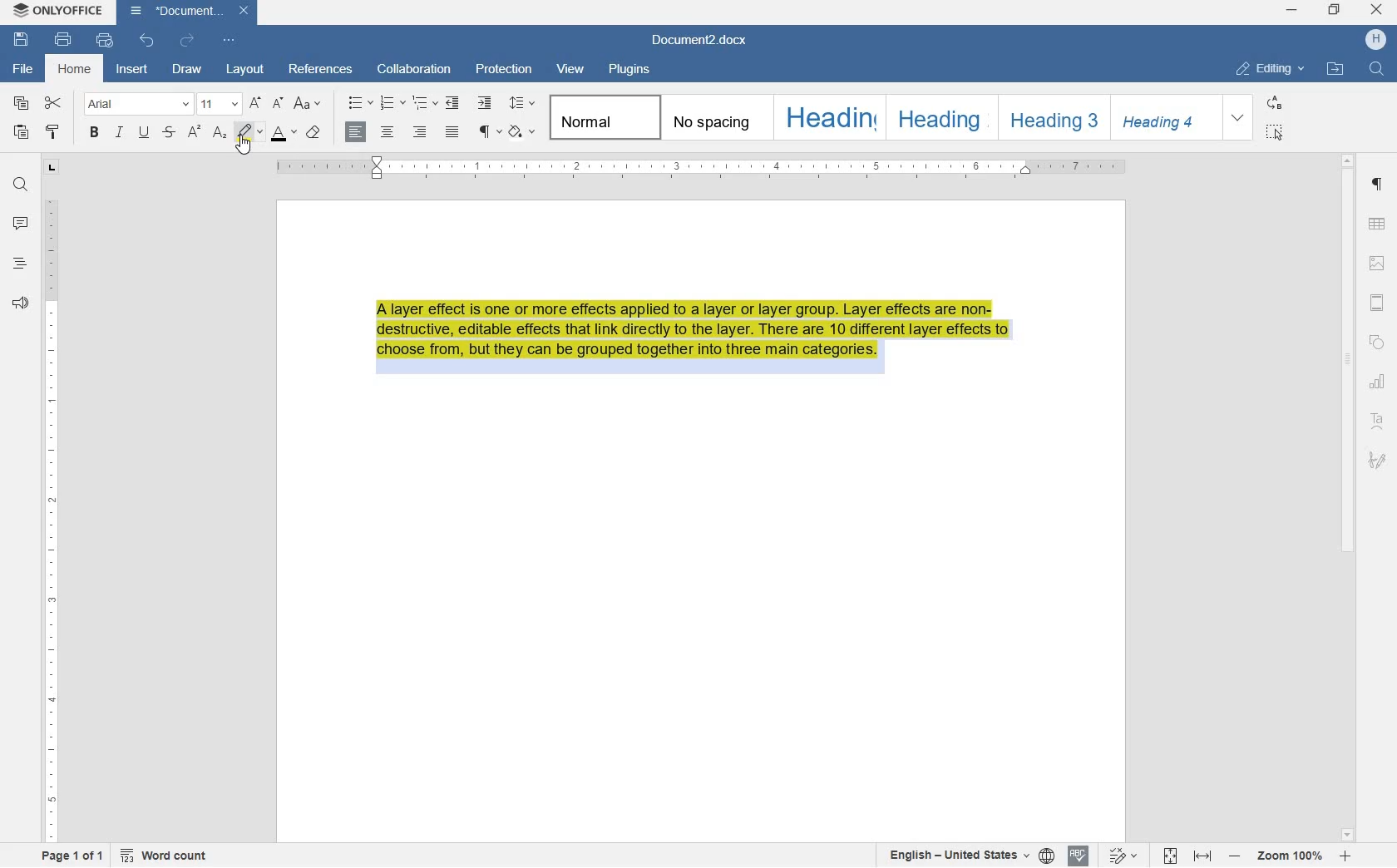 This screenshot has height=868, width=1397. Describe the element at coordinates (313, 134) in the screenshot. I see `CLEAR STYLE` at that location.